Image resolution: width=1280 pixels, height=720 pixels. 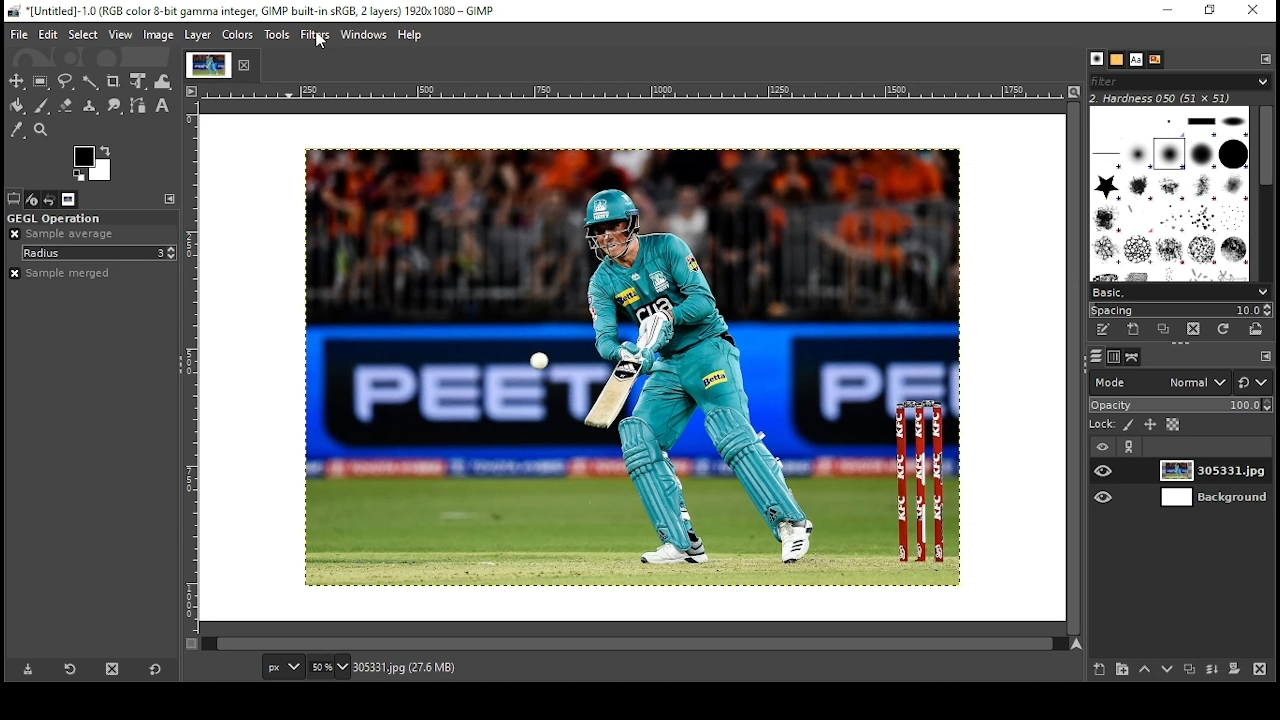 What do you see at coordinates (71, 670) in the screenshot?
I see `refresh tool preset` at bounding box center [71, 670].